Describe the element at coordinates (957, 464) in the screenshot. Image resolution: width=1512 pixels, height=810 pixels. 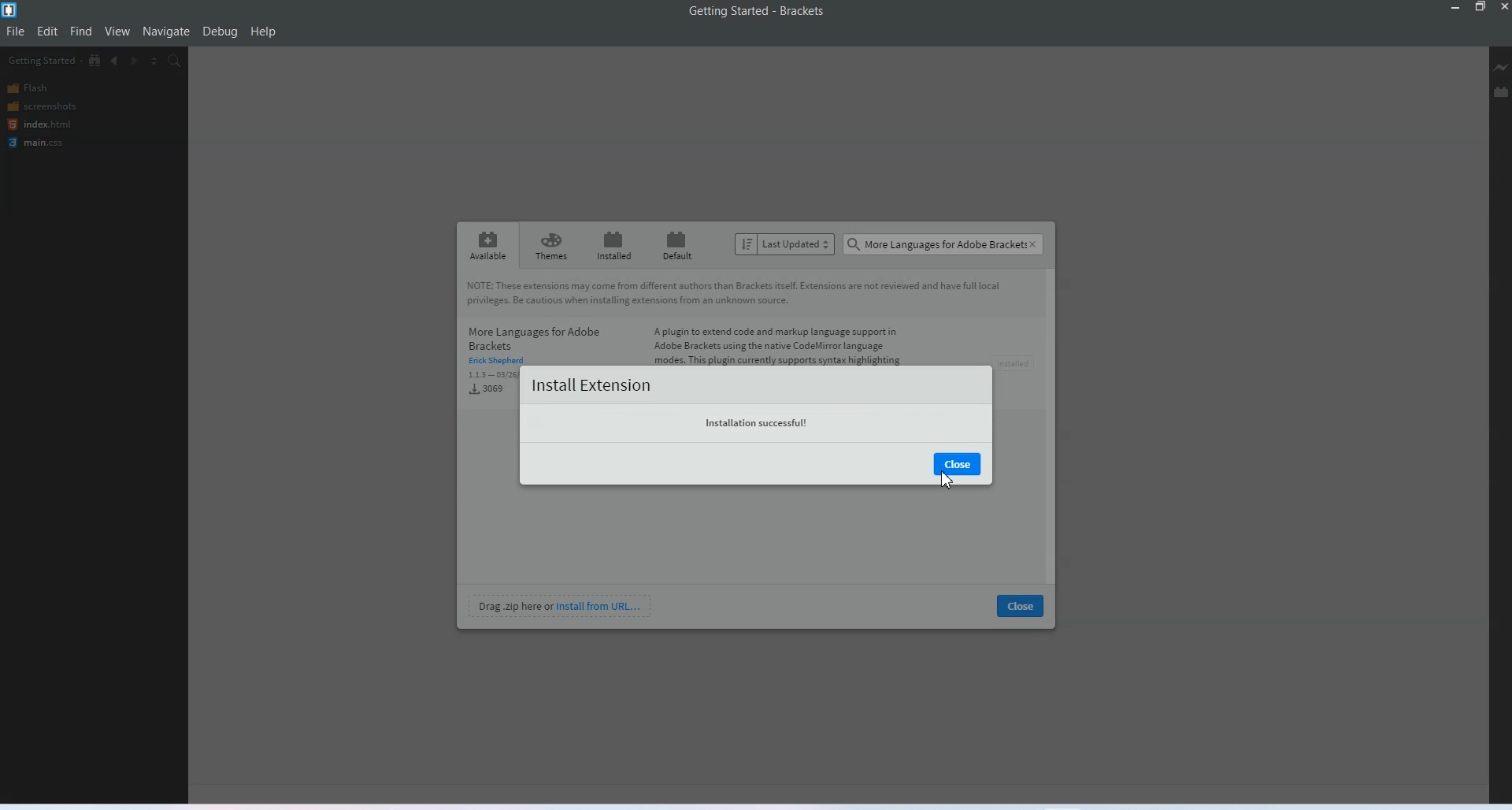
I see `Close` at that location.